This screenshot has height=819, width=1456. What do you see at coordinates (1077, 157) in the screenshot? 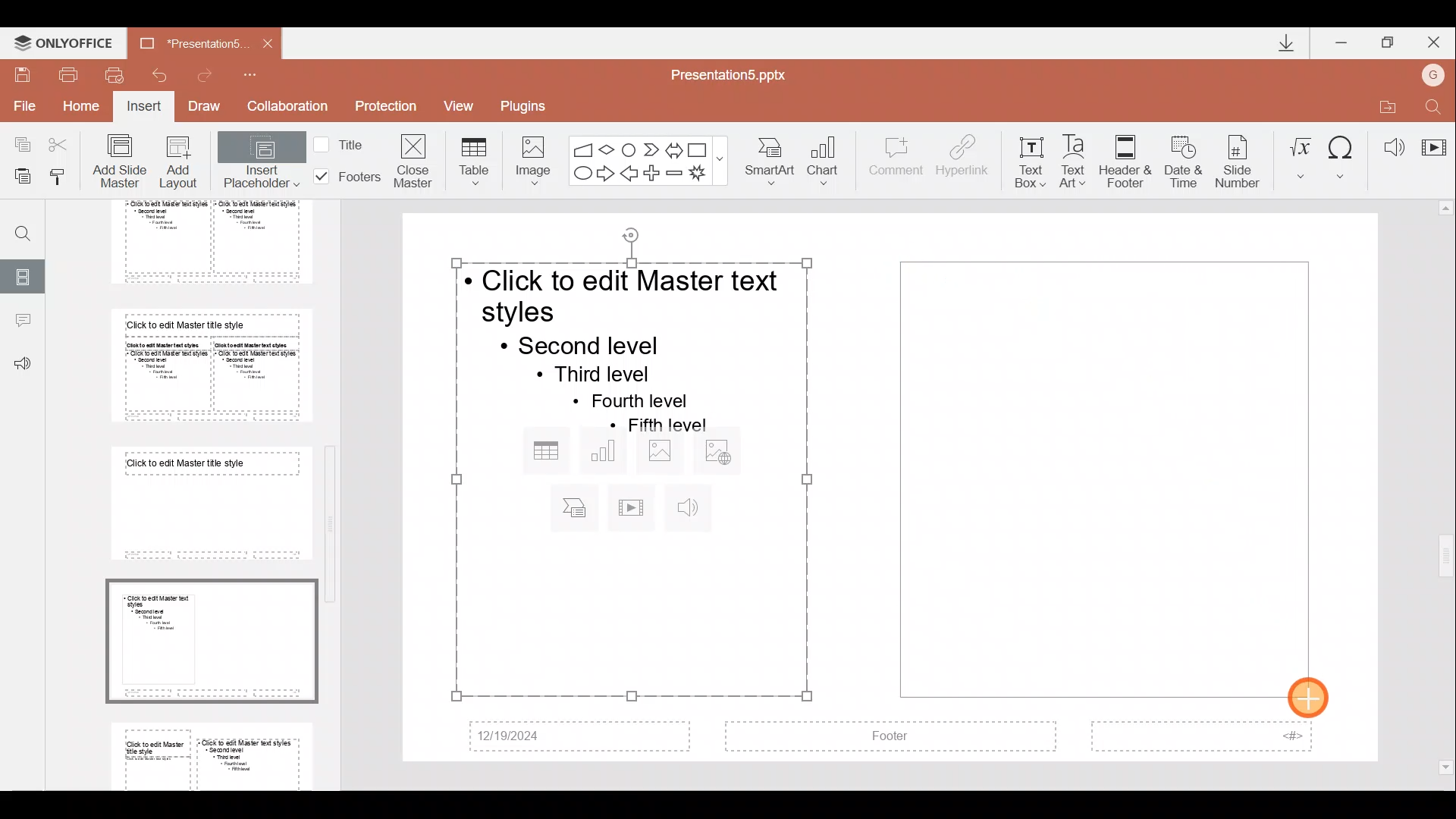
I see `Text Art` at bounding box center [1077, 157].